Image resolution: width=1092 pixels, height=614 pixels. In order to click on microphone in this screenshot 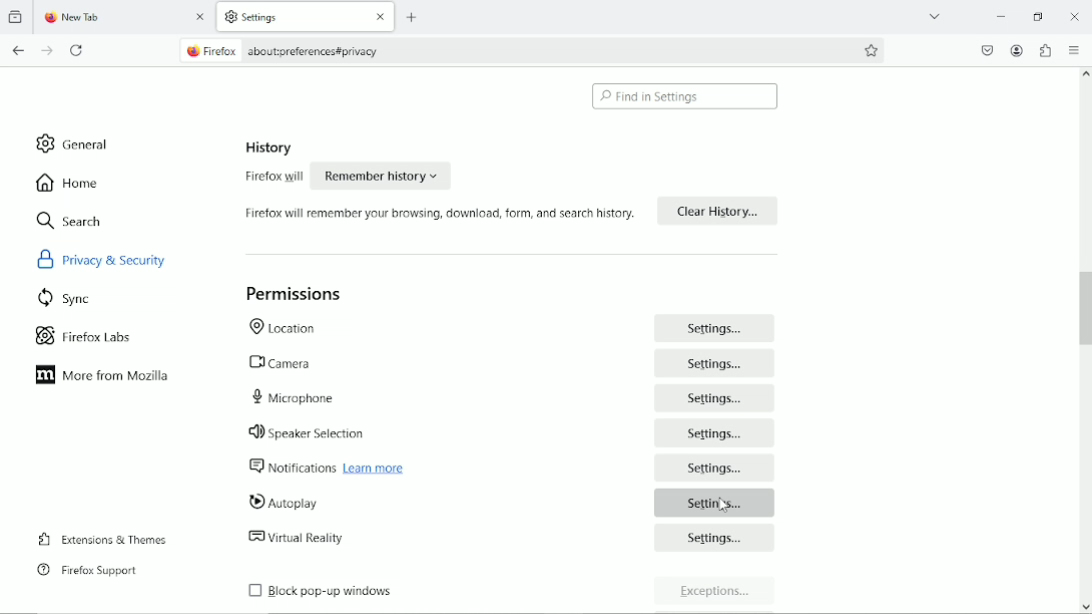, I will do `click(376, 396)`.